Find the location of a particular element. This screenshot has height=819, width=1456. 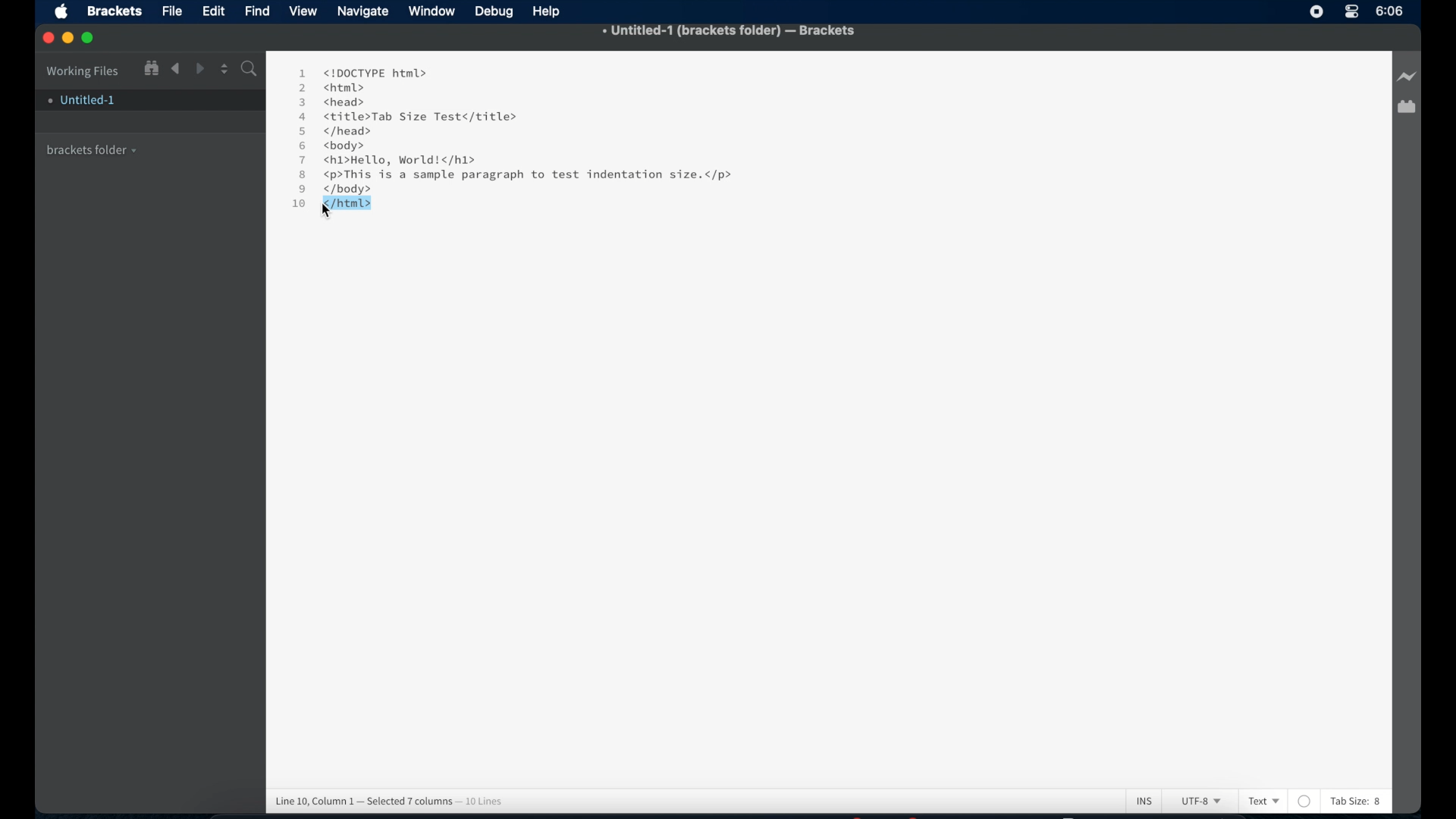

Charging is located at coordinates (1406, 77).